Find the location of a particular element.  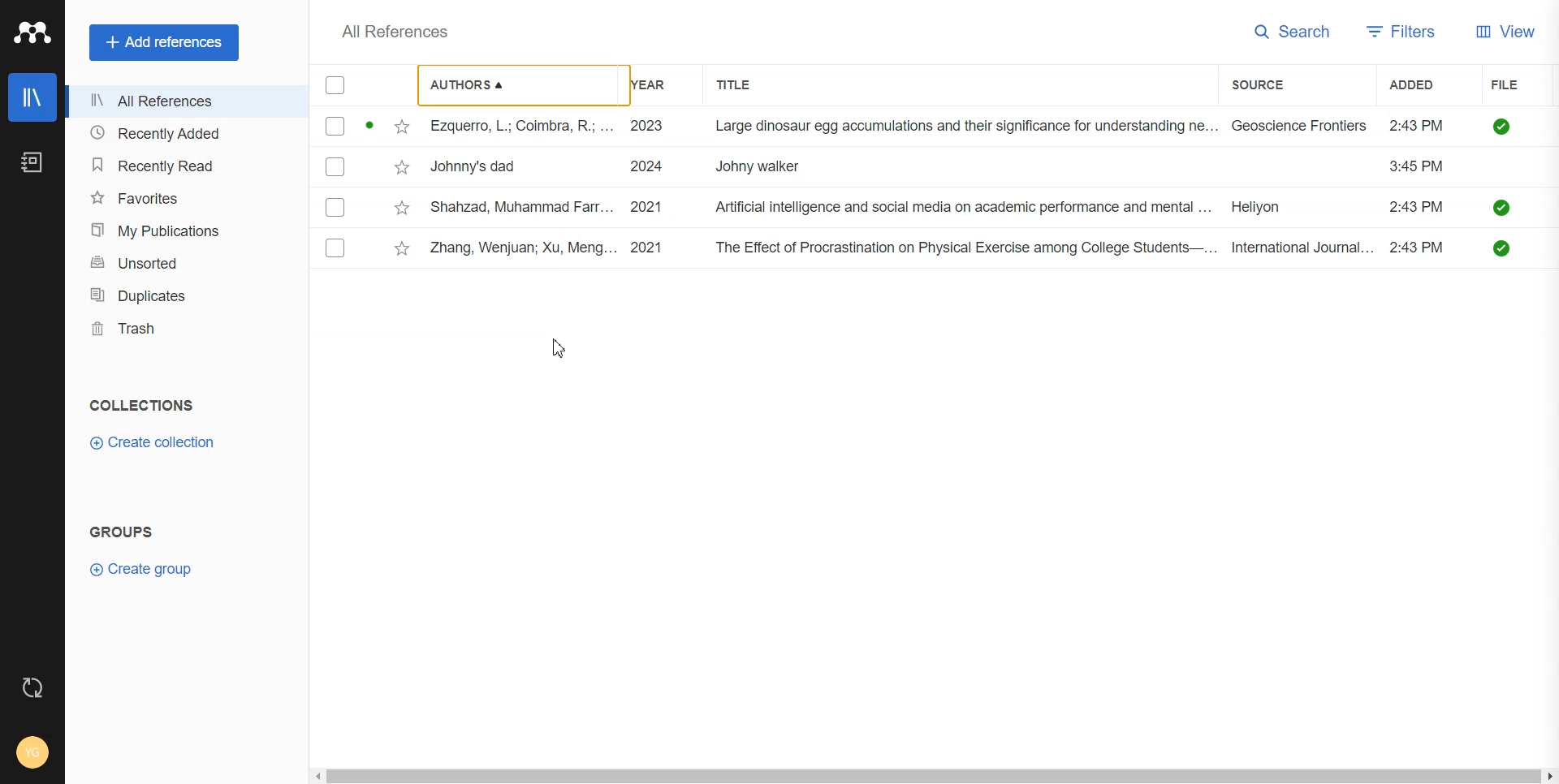

Authors is located at coordinates (513, 84).